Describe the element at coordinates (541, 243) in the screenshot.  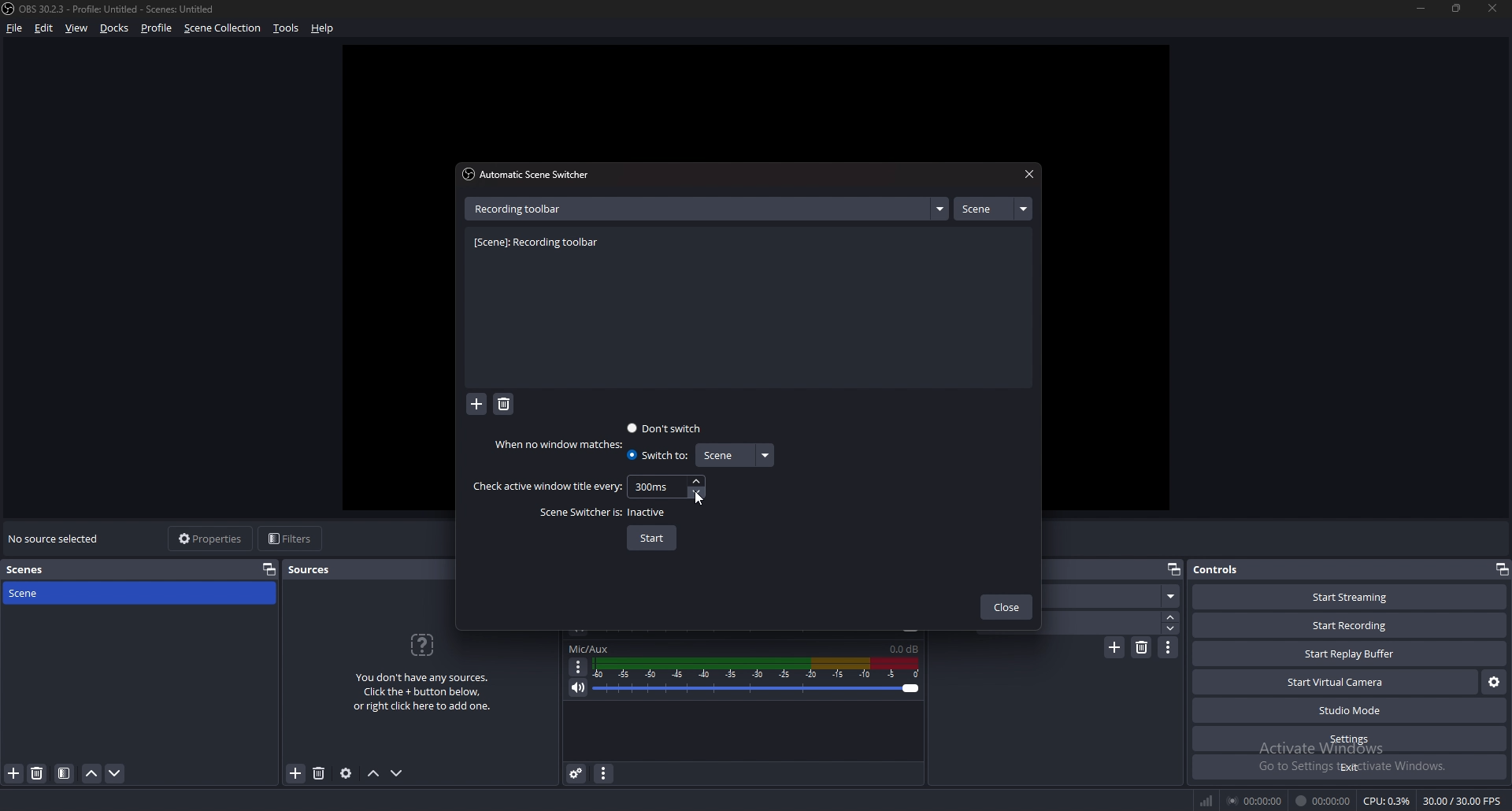
I see `recording toolbar` at that location.